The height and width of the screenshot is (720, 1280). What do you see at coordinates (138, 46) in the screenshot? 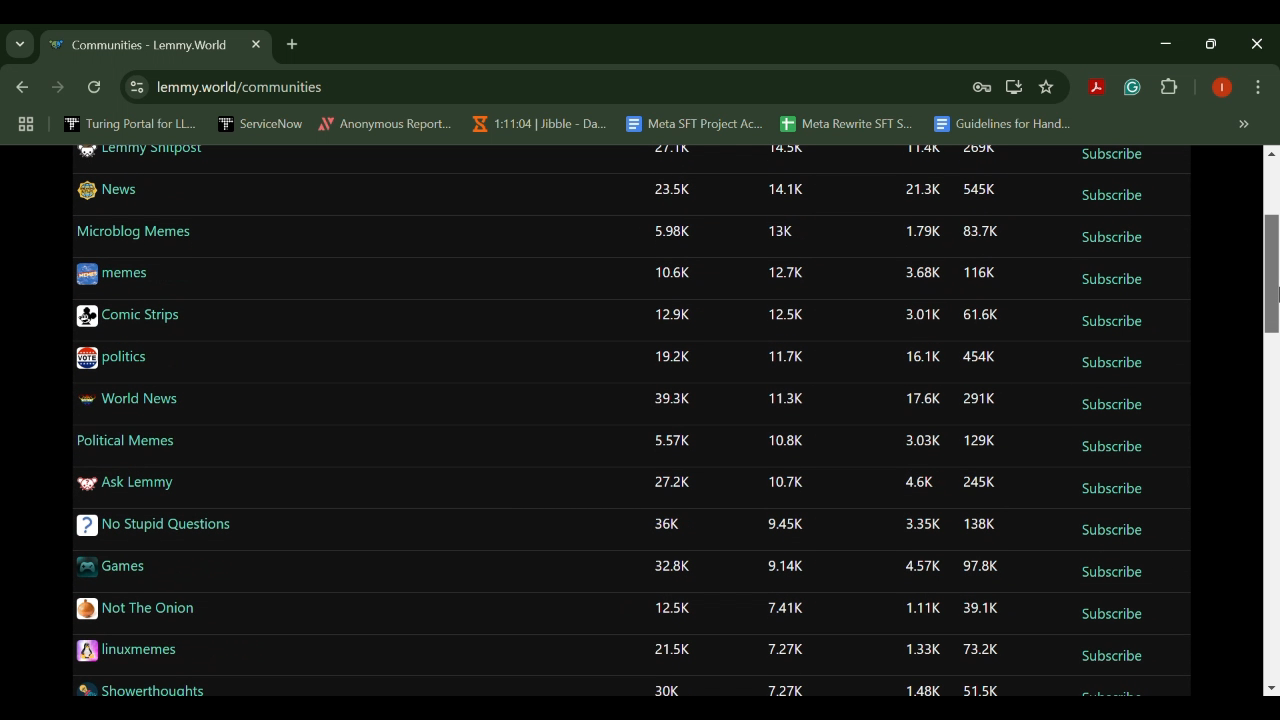
I see `Communities - Lemmy.World` at bounding box center [138, 46].